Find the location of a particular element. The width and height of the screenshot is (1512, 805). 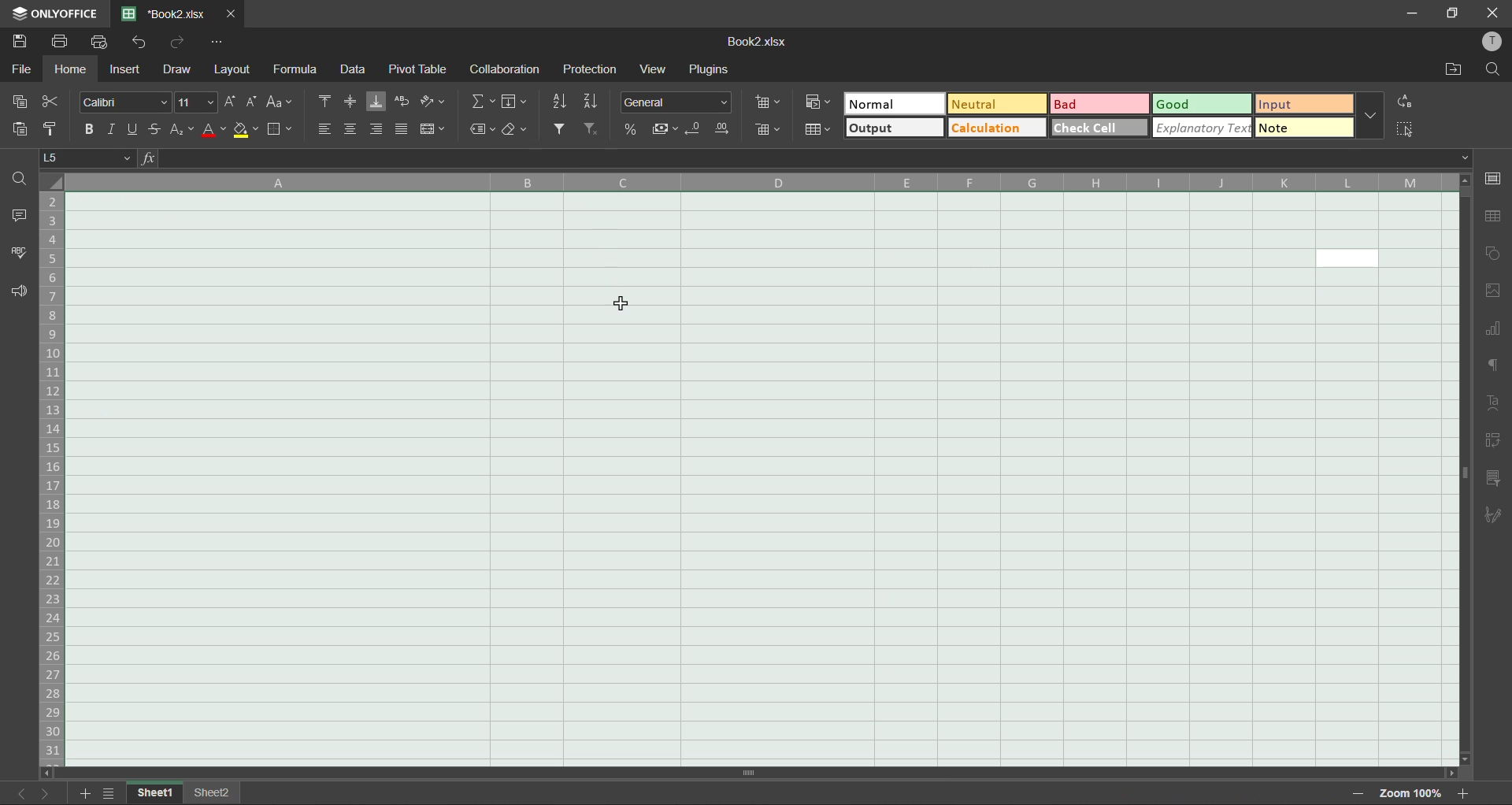

row numberss is located at coordinates (52, 478).